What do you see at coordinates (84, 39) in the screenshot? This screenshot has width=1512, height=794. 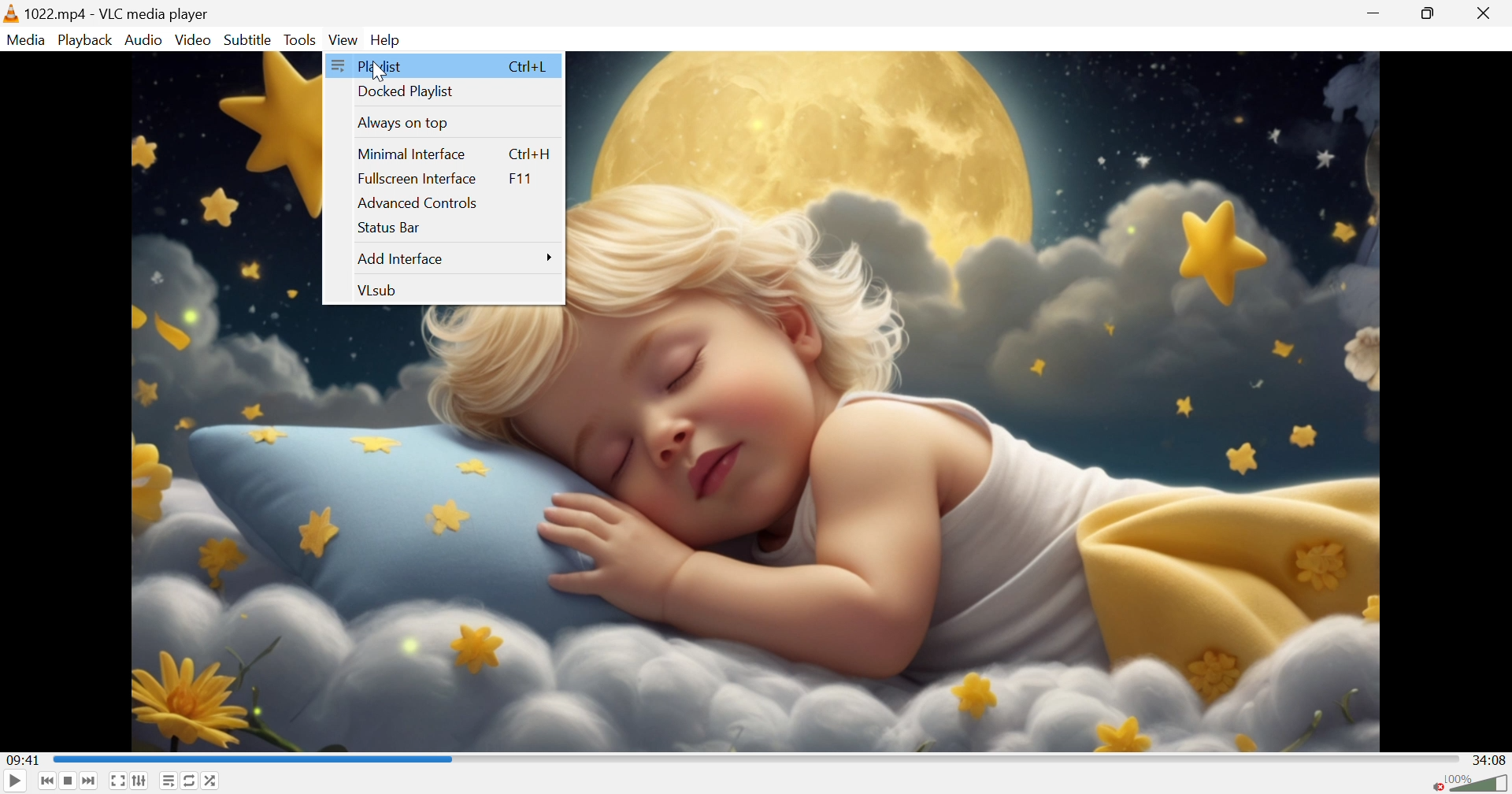 I see `Playback` at bounding box center [84, 39].